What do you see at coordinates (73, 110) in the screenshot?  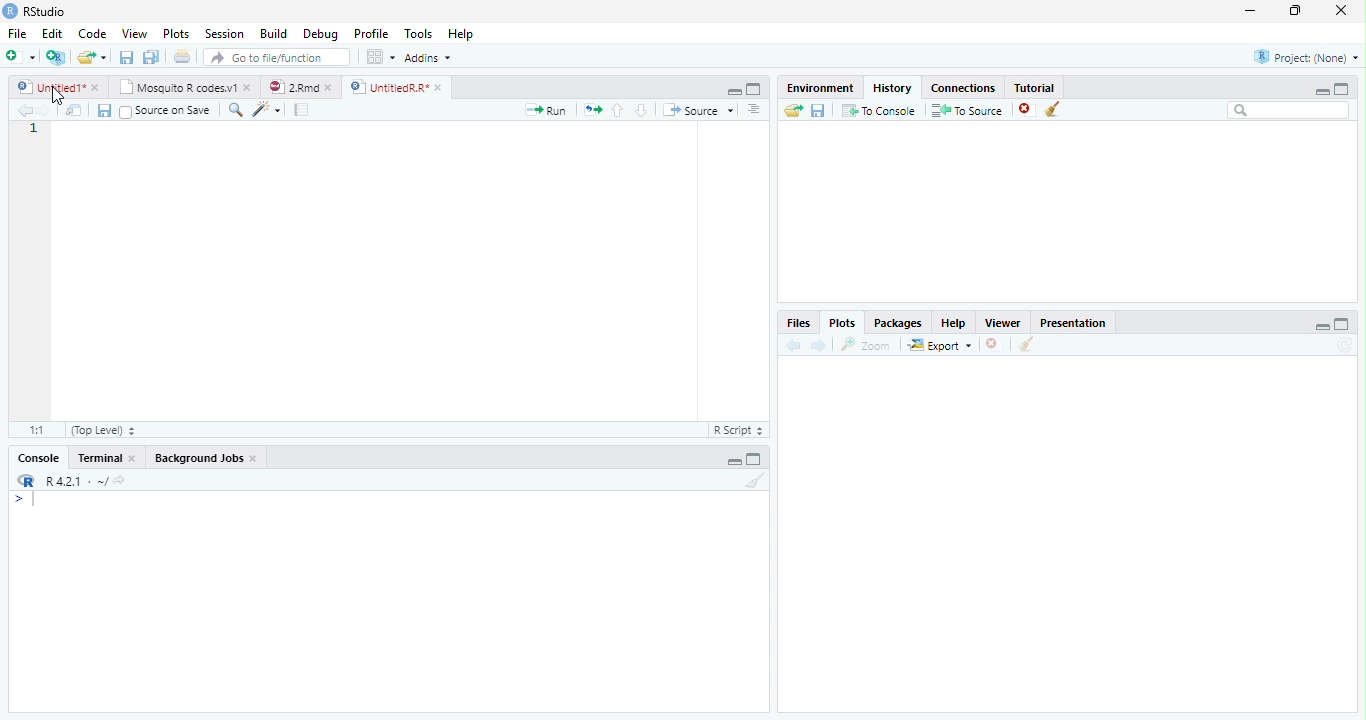 I see `Show in new window` at bounding box center [73, 110].